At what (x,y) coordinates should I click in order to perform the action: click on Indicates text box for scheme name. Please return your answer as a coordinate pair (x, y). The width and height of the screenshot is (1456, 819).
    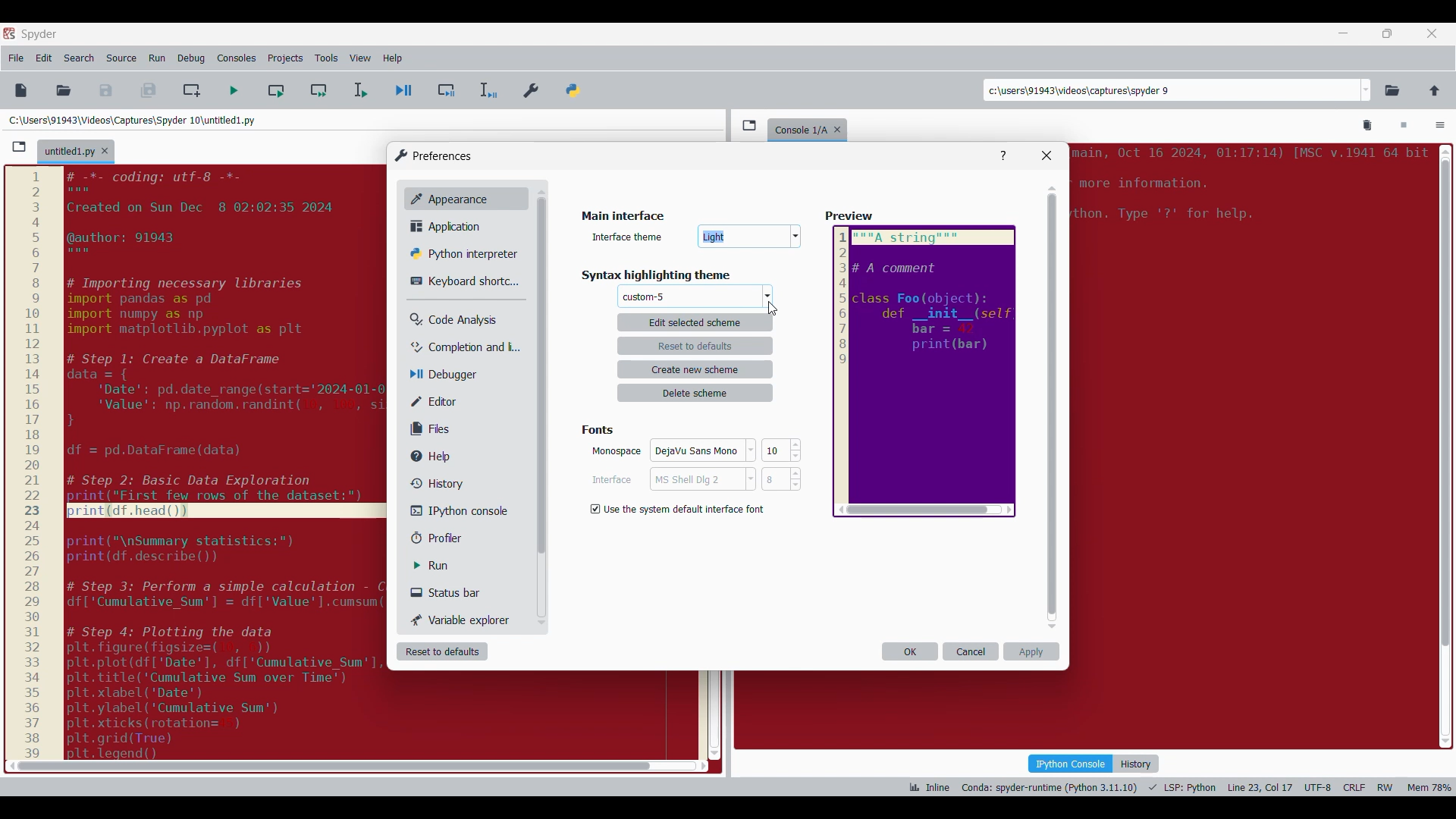
    Looking at the image, I should click on (629, 236).